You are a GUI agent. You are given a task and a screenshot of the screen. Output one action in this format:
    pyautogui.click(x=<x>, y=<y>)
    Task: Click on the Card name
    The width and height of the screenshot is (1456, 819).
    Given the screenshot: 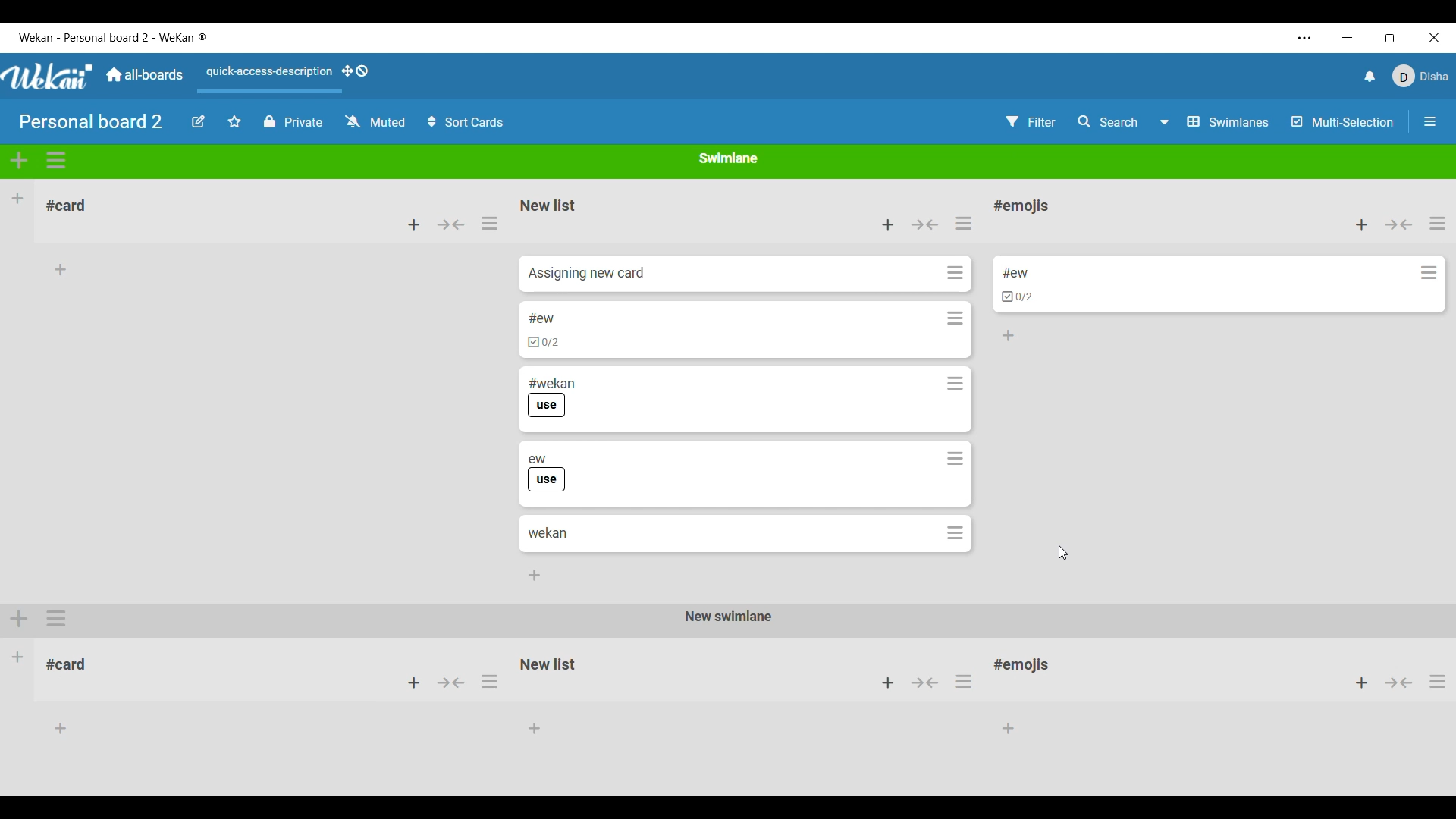 What is the action you would take?
    pyautogui.click(x=586, y=273)
    